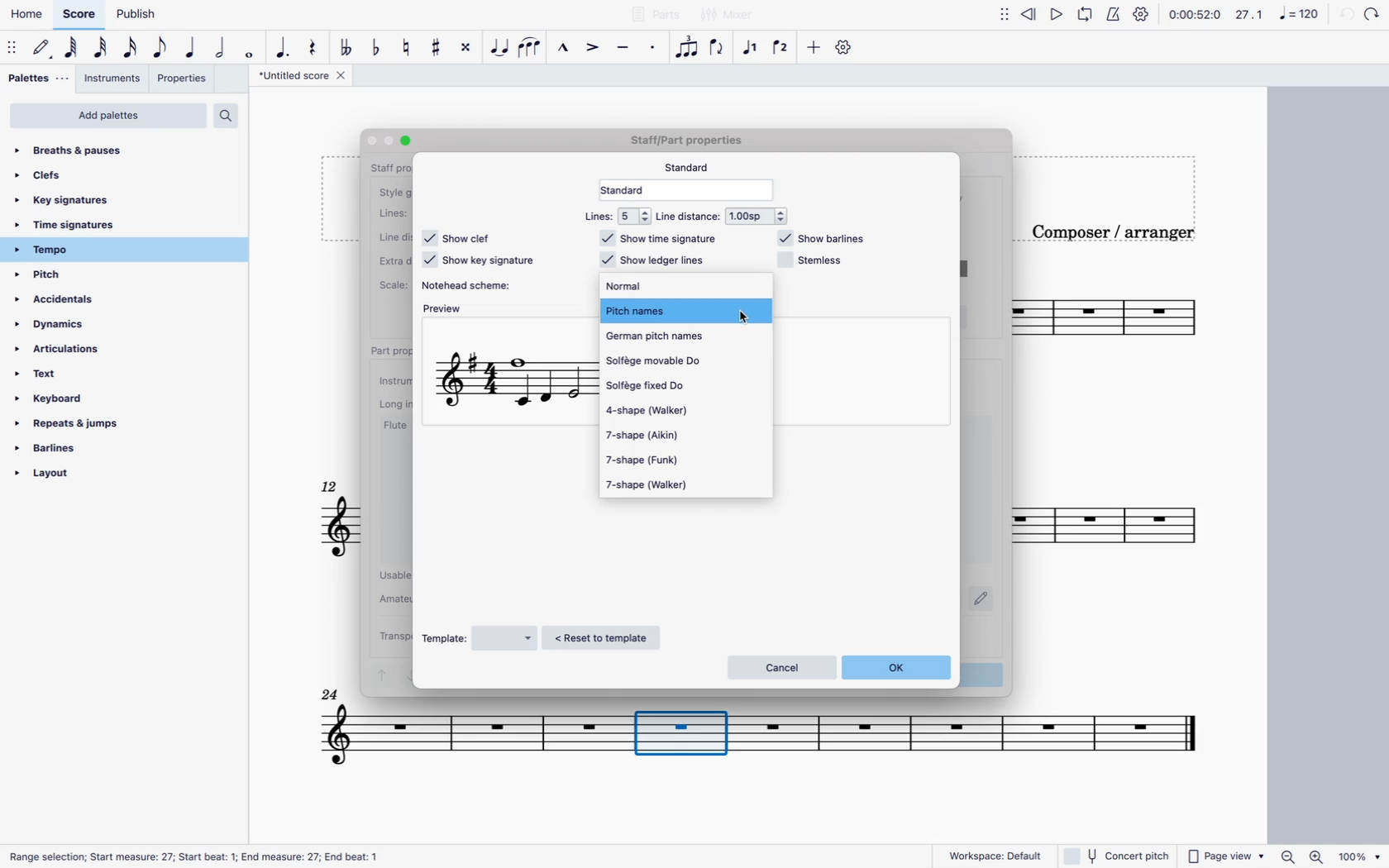 Image resolution: width=1389 pixels, height=868 pixels. I want to click on accent, so click(594, 47).